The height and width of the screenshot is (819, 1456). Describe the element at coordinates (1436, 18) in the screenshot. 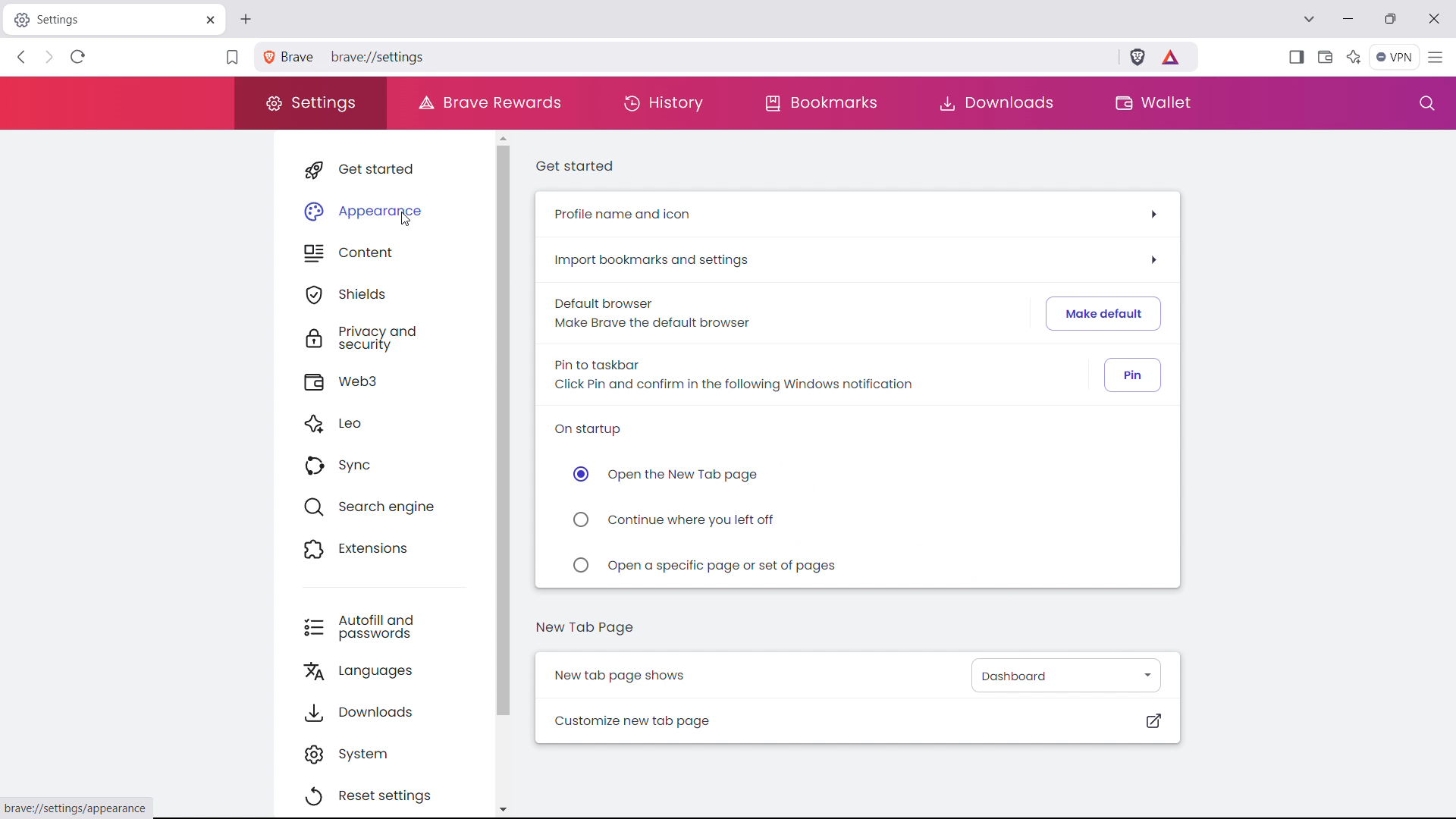

I see `close` at that location.